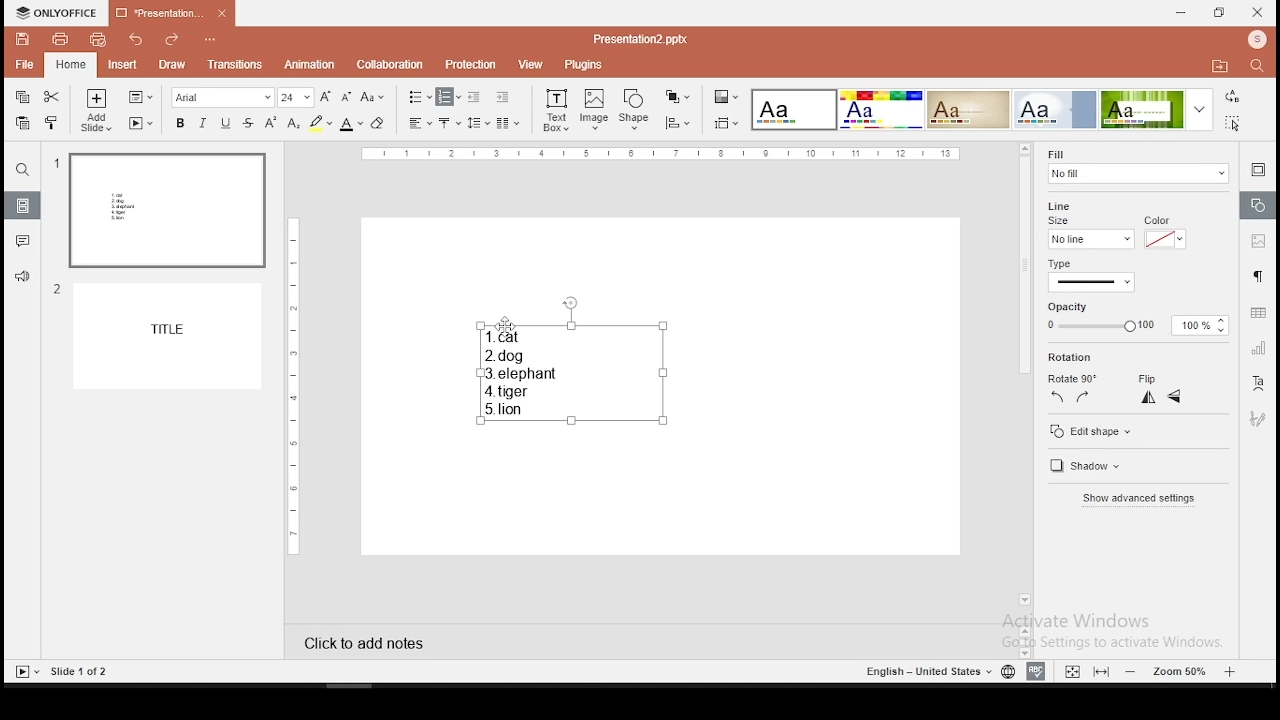  What do you see at coordinates (172, 14) in the screenshot?
I see `presentation` at bounding box center [172, 14].